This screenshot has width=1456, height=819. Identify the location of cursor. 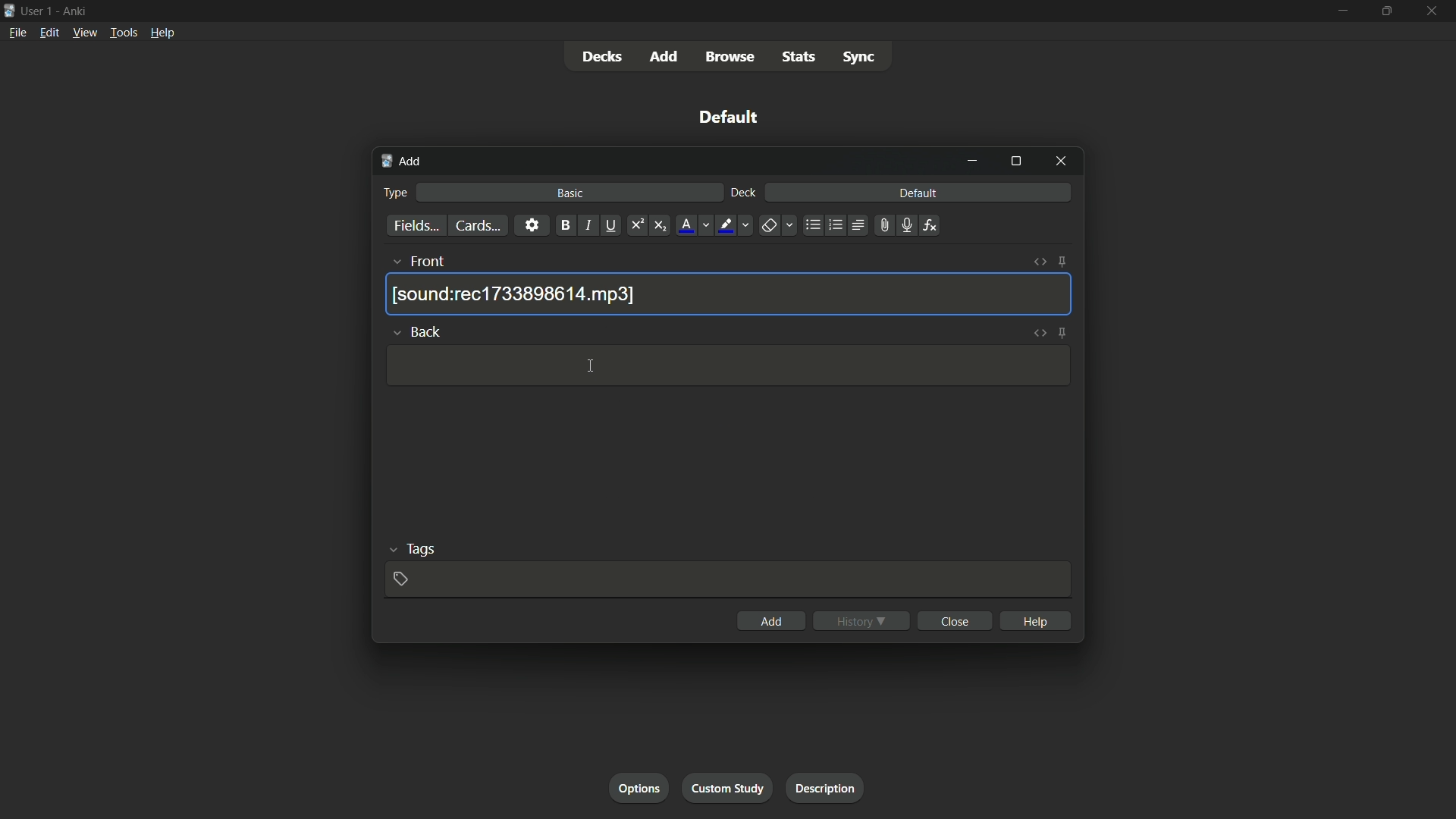
(589, 366).